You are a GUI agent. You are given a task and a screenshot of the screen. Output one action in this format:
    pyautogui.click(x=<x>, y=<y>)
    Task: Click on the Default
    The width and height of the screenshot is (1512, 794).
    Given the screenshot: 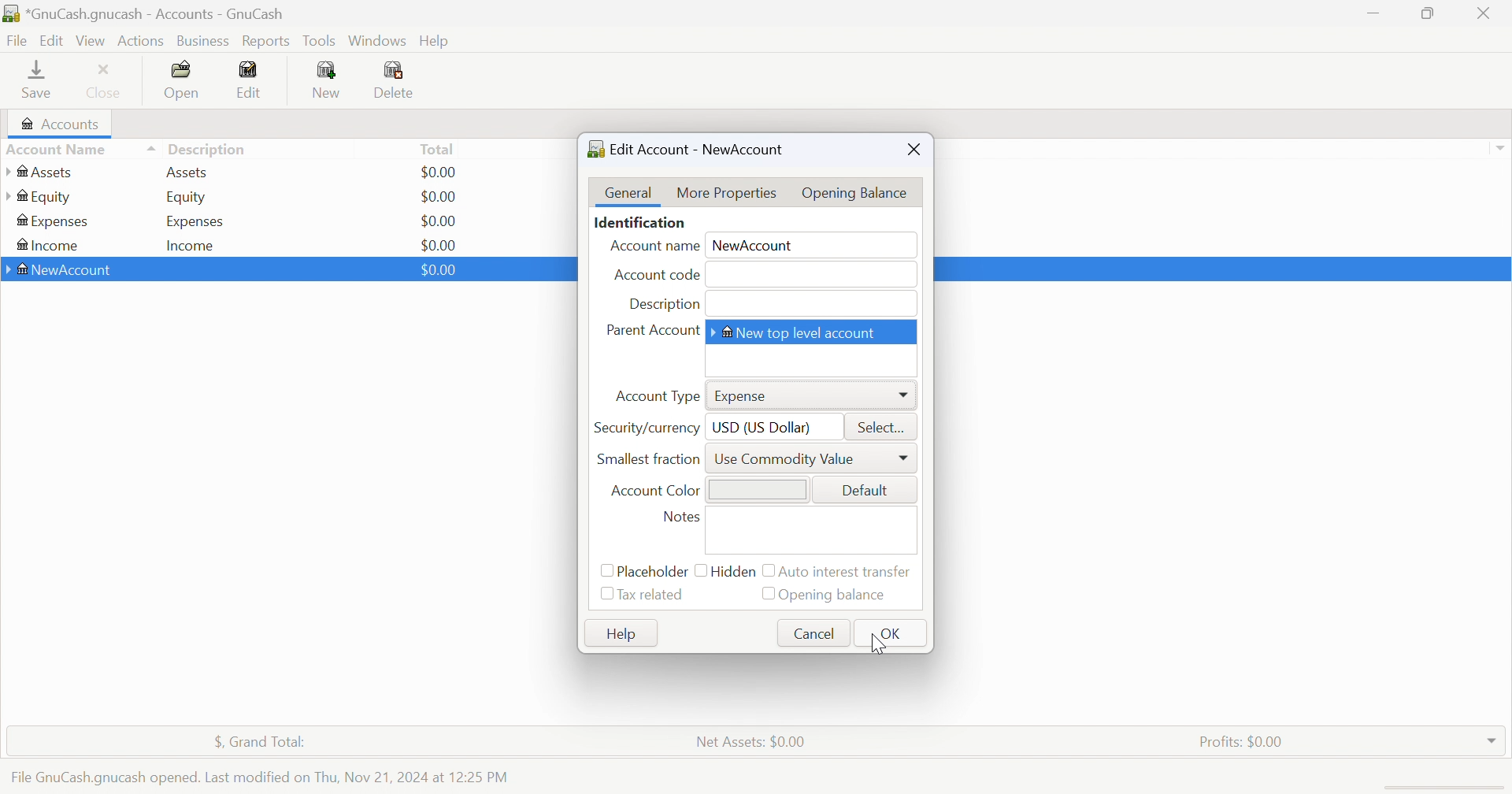 What is the action you would take?
    pyautogui.click(x=869, y=492)
    